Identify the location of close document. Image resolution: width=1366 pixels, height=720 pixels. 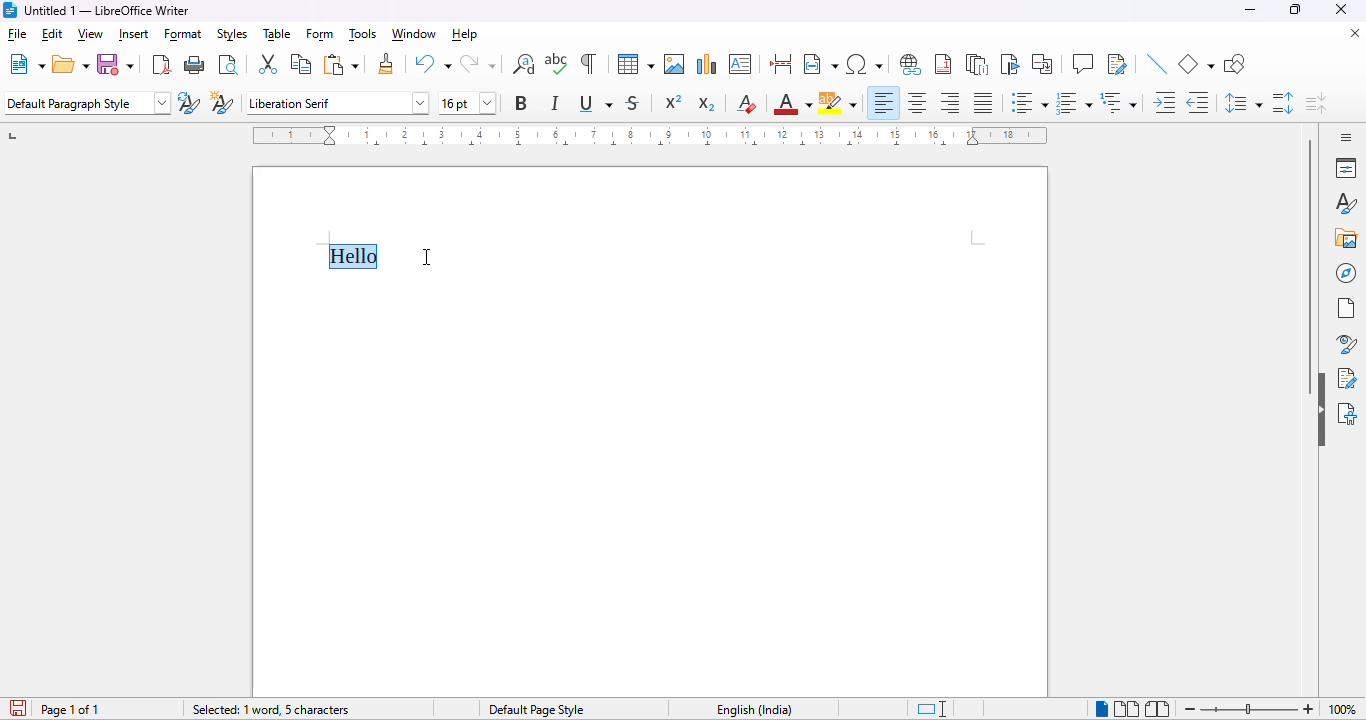
(1355, 33).